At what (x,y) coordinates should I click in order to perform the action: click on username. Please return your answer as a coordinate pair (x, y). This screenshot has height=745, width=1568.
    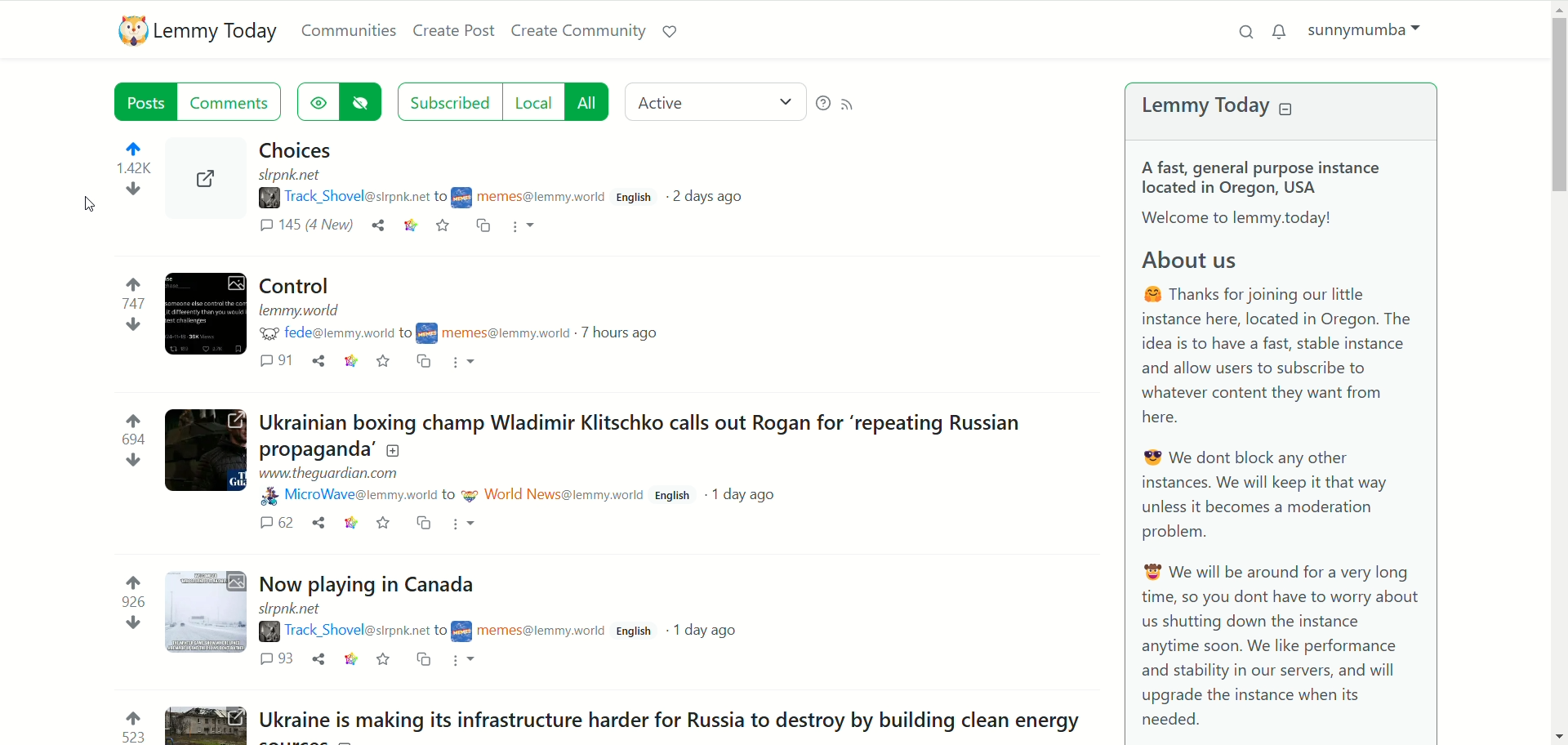
    Looking at the image, I should click on (359, 494).